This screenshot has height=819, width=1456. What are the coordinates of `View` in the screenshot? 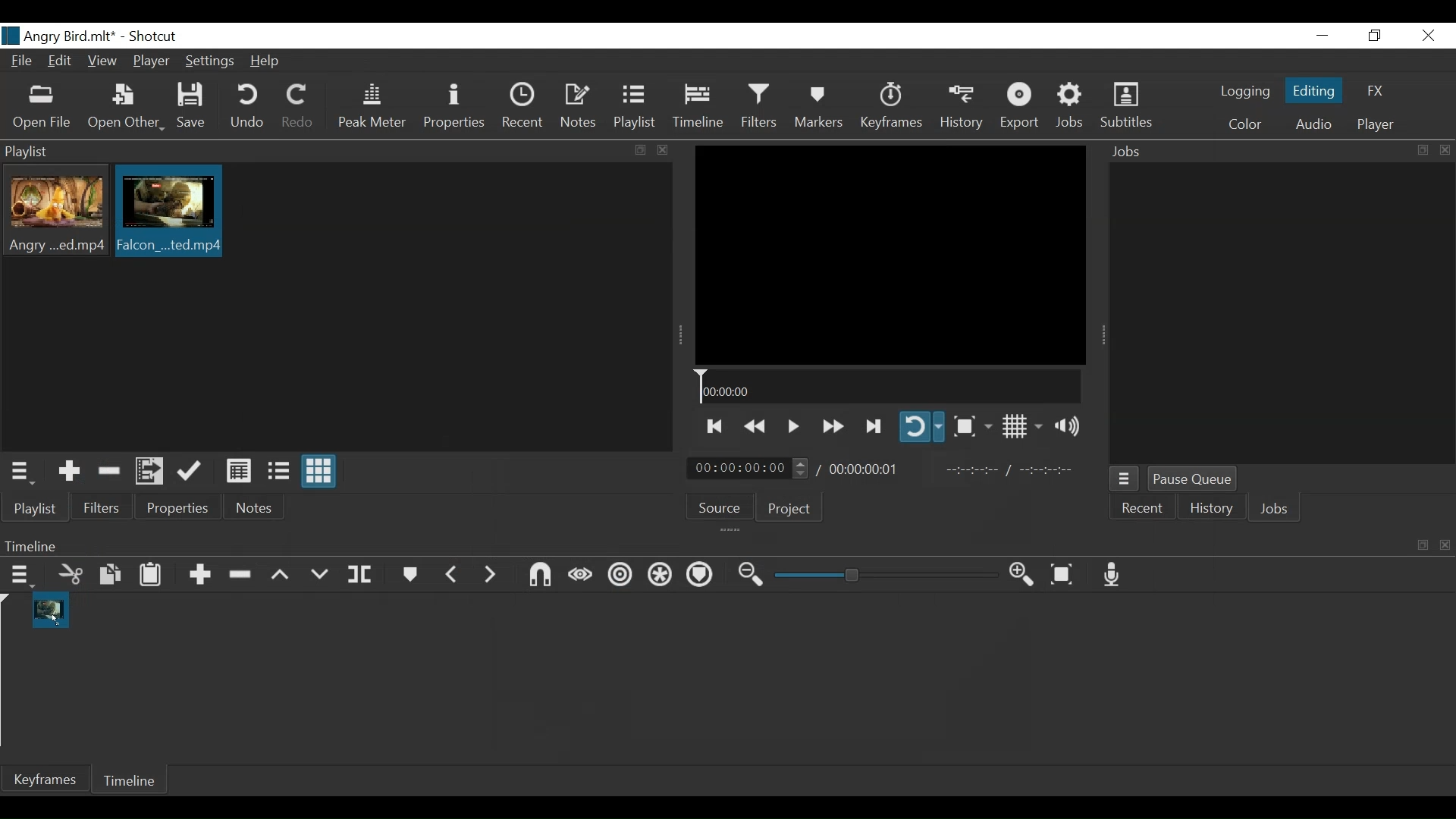 It's located at (102, 62).